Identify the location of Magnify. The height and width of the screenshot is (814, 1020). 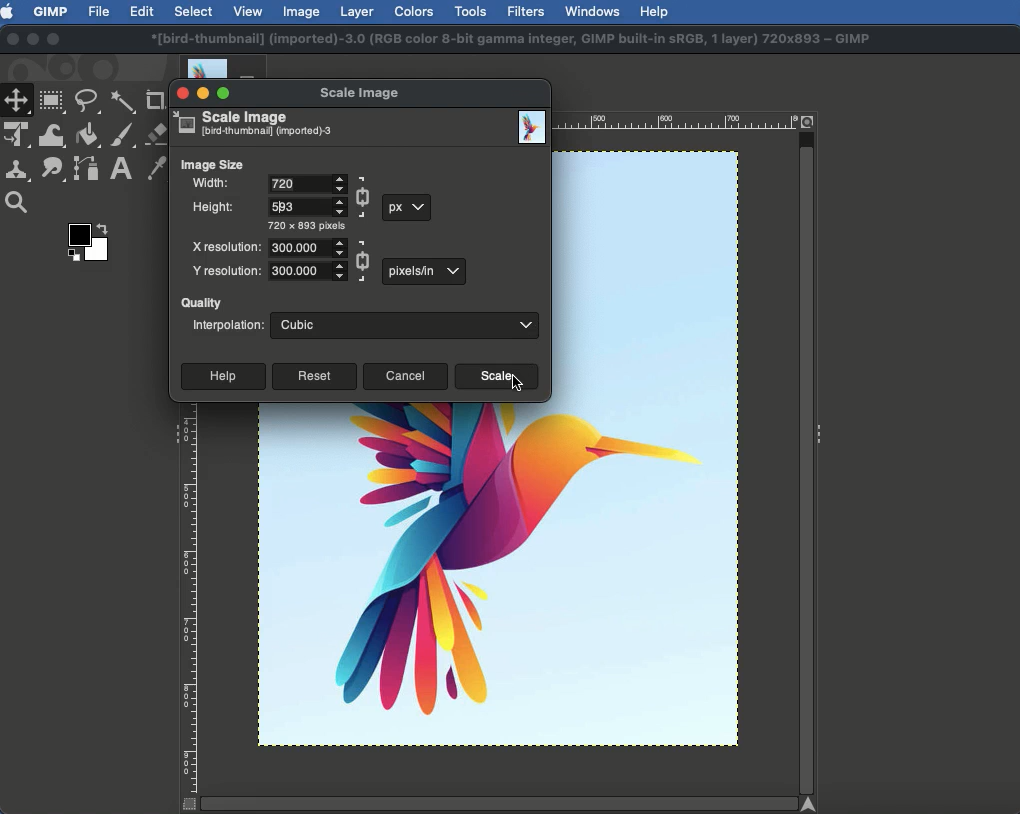
(19, 202).